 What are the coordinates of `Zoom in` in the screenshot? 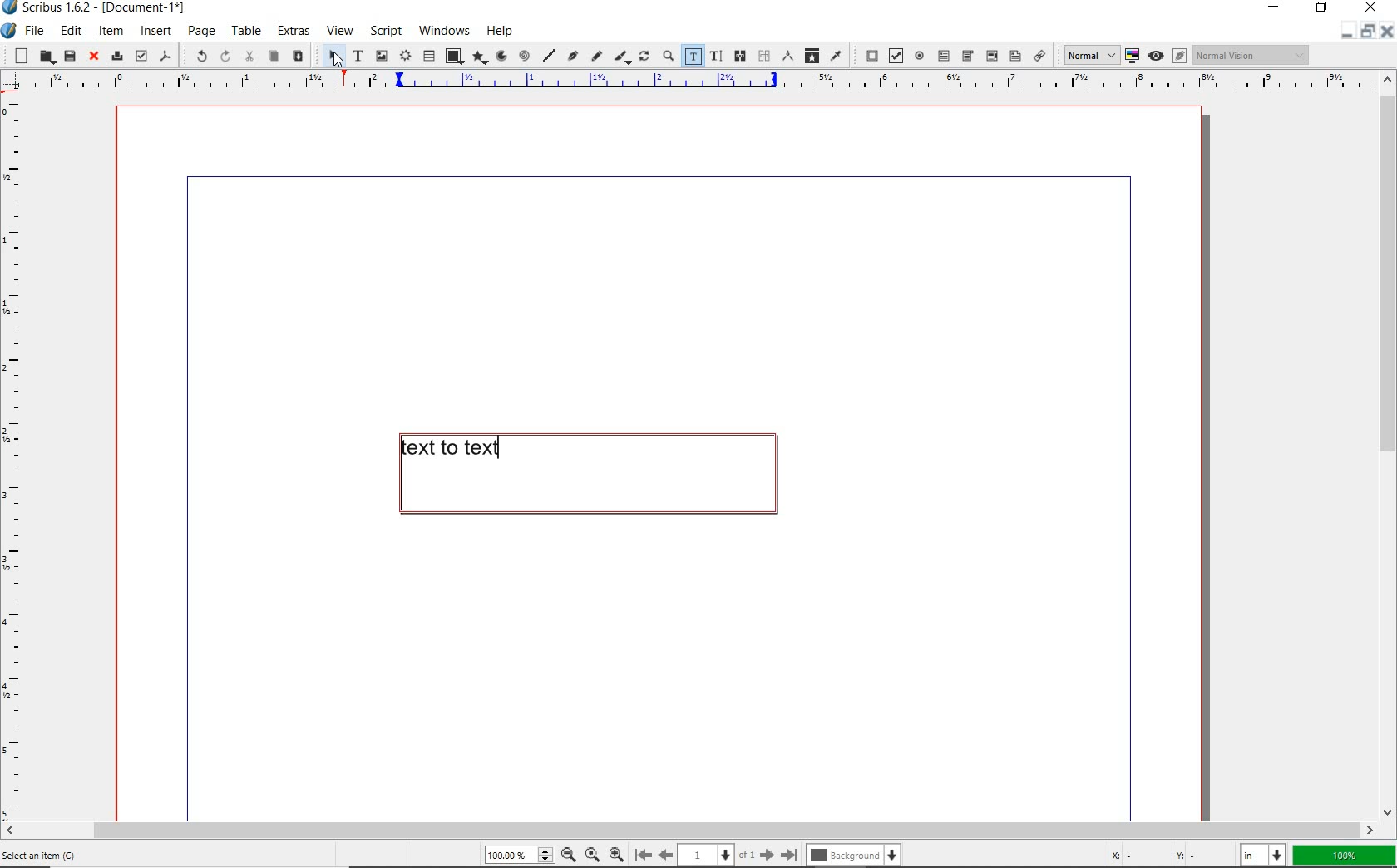 It's located at (616, 853).